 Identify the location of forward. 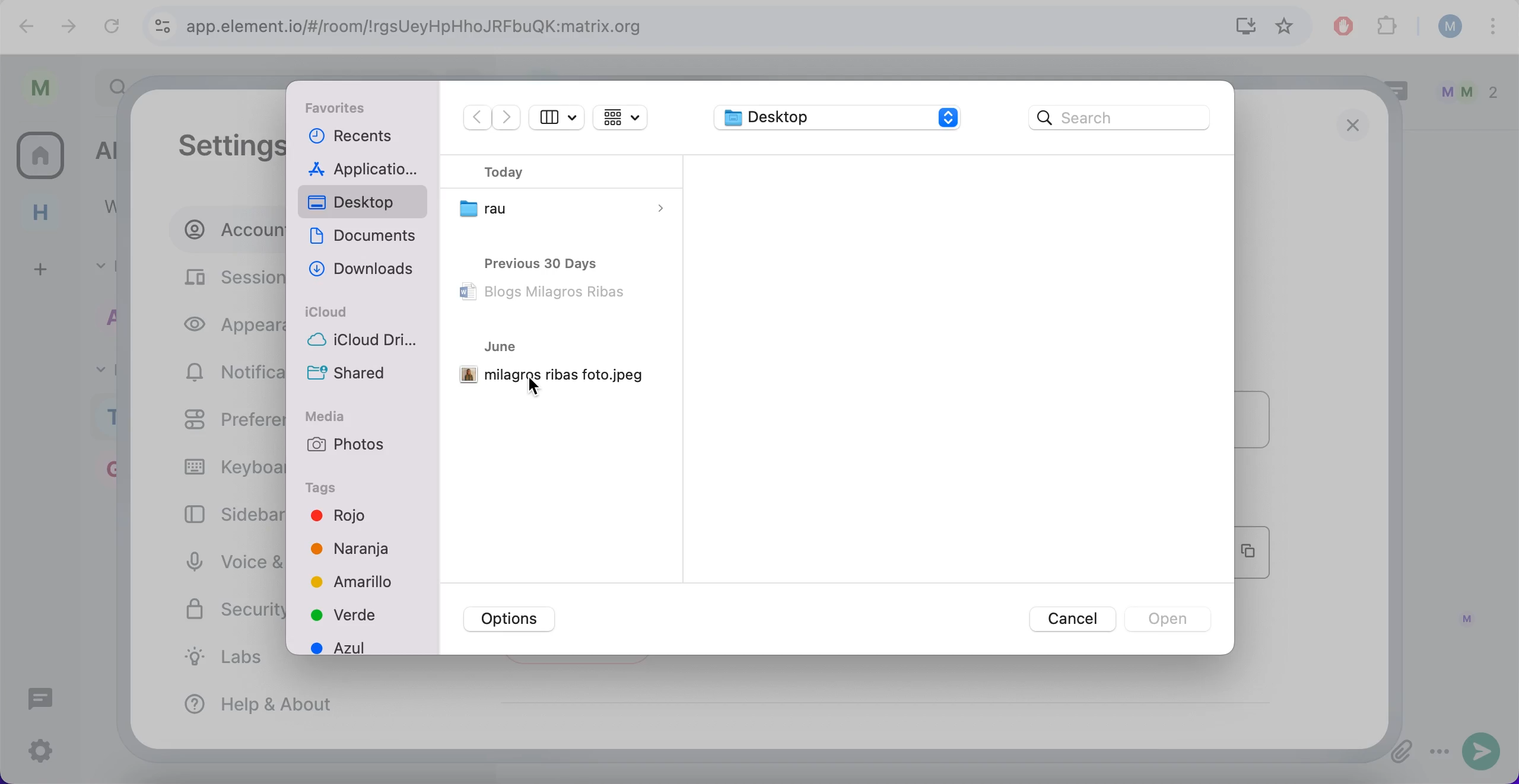
(507, 120).